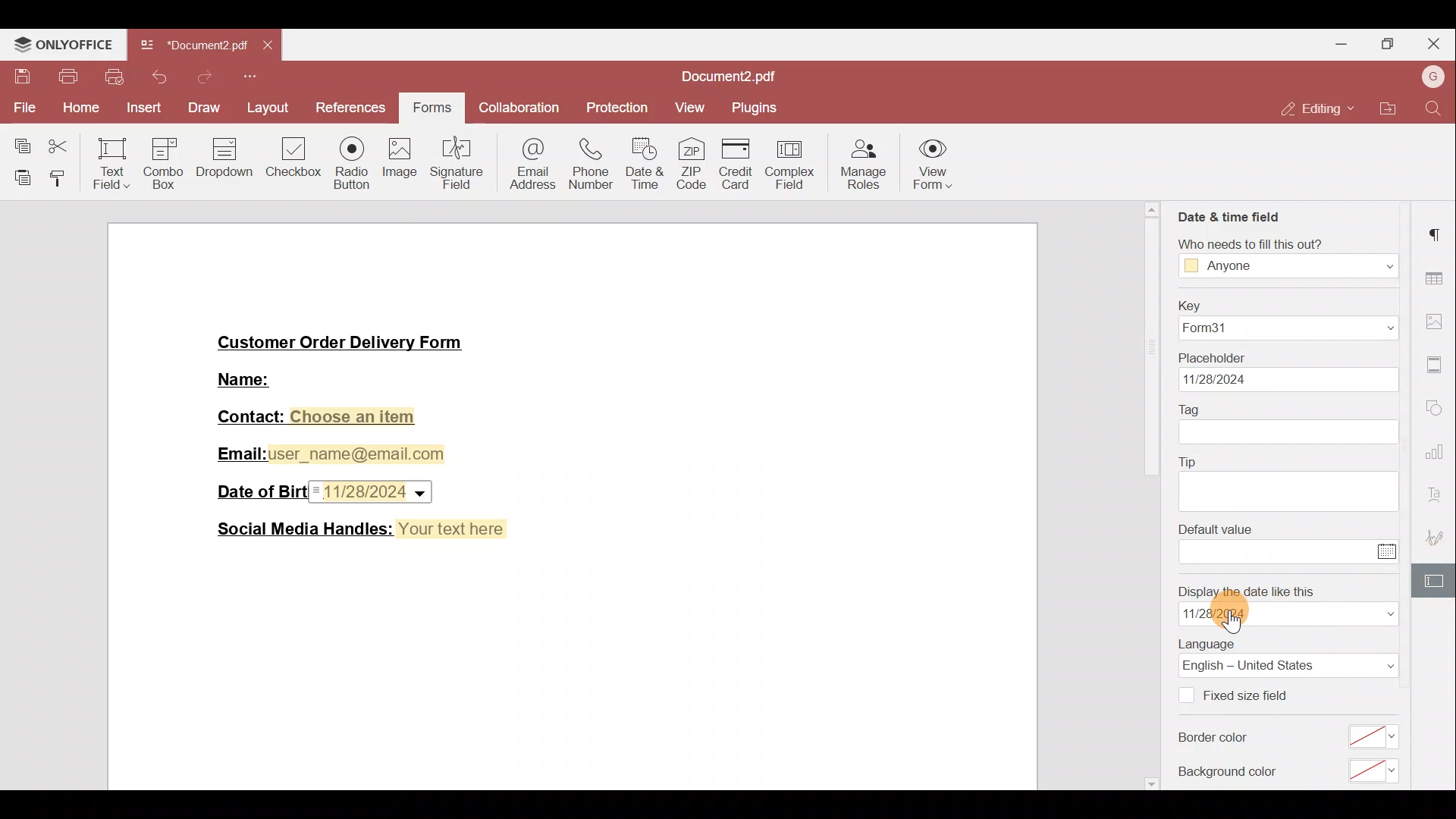  Describe the element at coordinates (265, 46) in the screenshot. I see `Close tab` at that location.